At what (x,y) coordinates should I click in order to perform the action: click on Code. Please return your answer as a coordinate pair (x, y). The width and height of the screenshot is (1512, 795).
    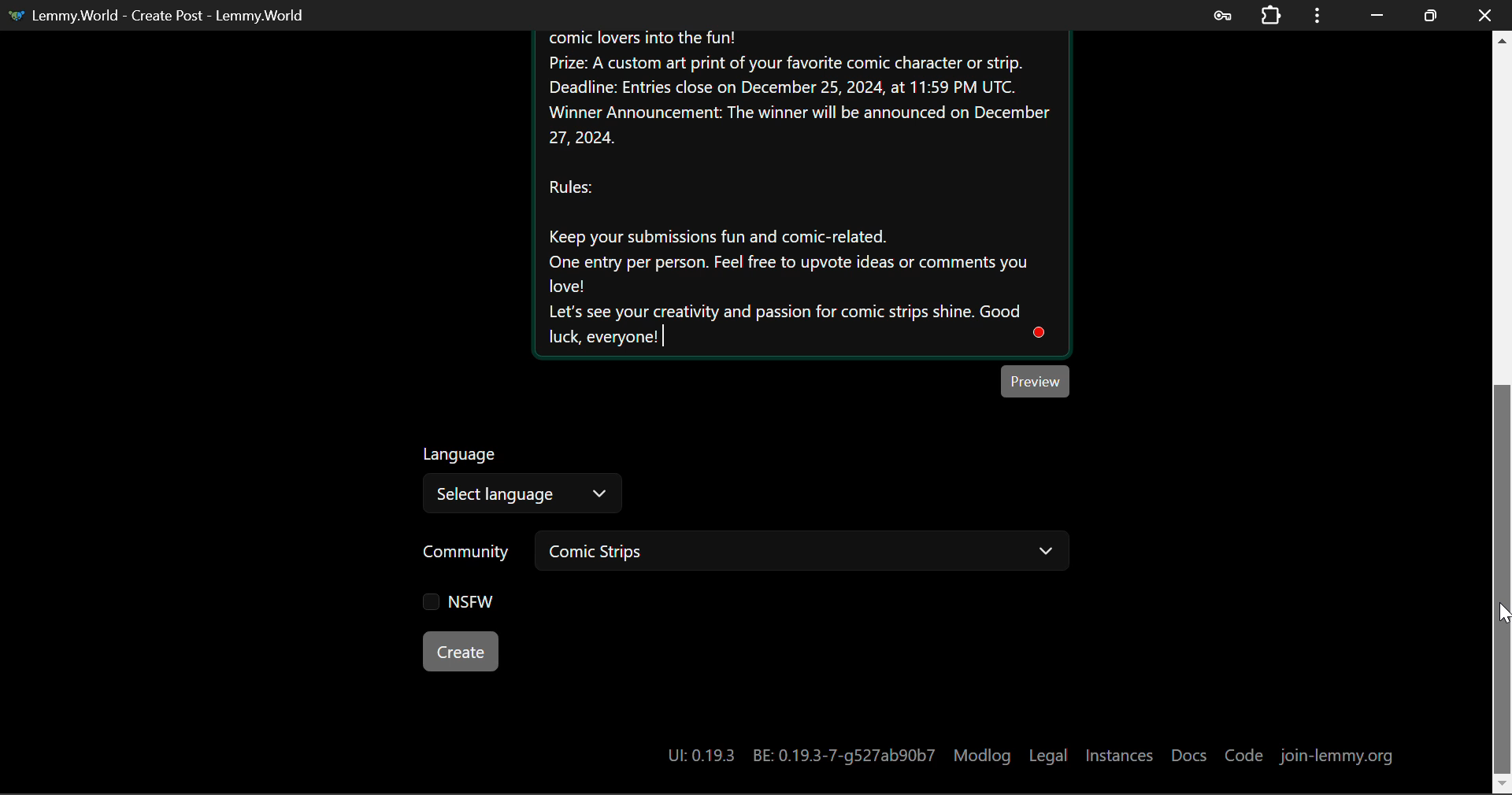
    Looking at the image, I should click on (1247, 757).